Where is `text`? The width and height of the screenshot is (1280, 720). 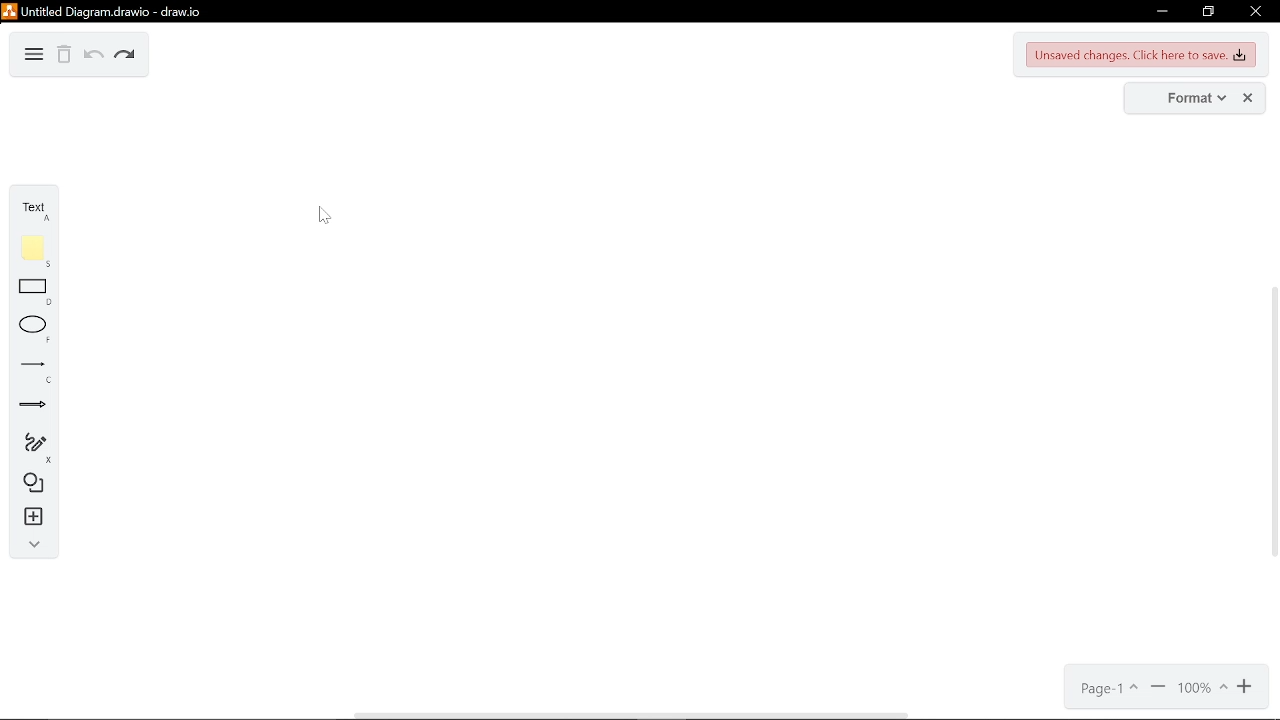
text is located at coordinates (34, 208).